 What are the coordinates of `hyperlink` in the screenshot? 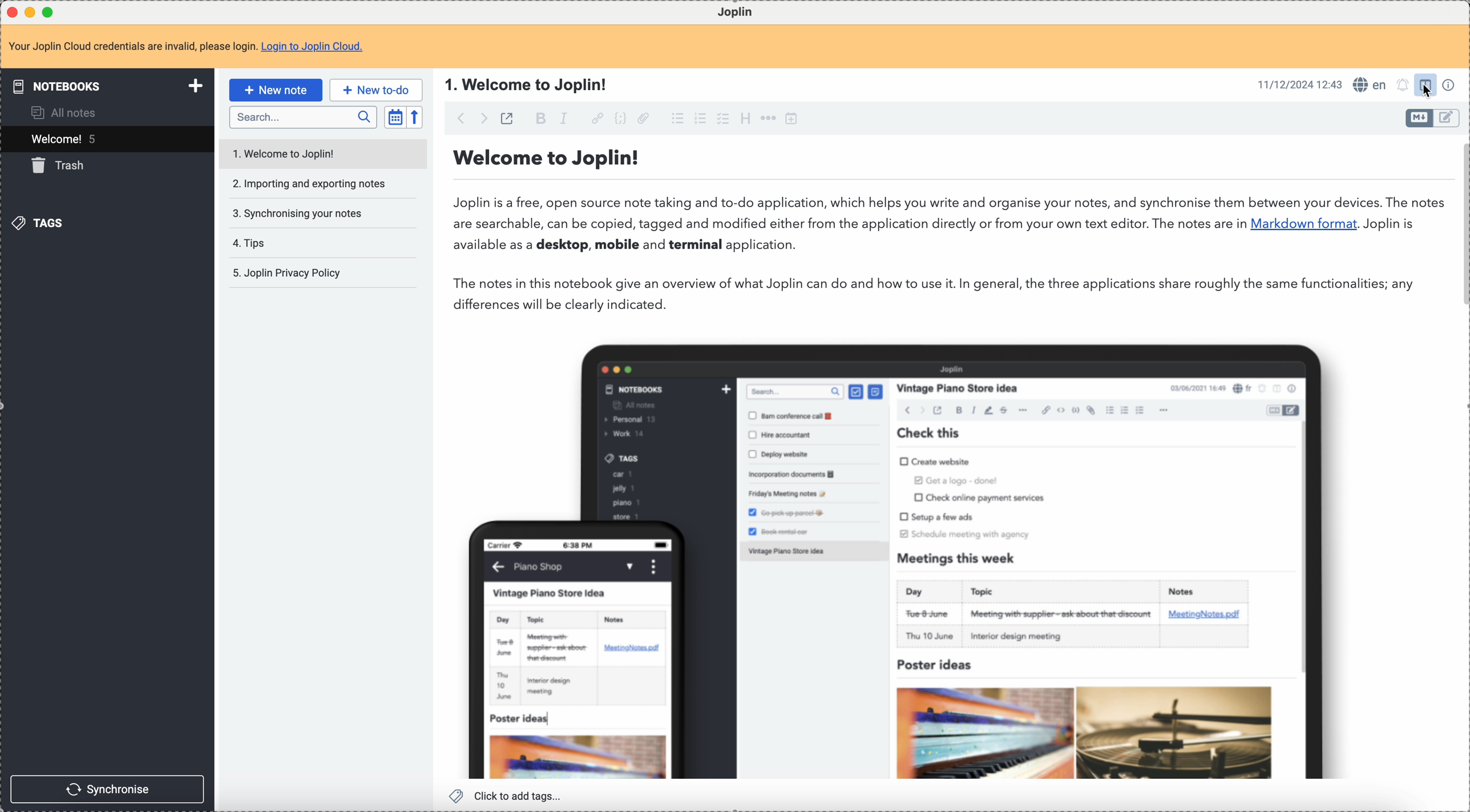 It's located at (598, 118).